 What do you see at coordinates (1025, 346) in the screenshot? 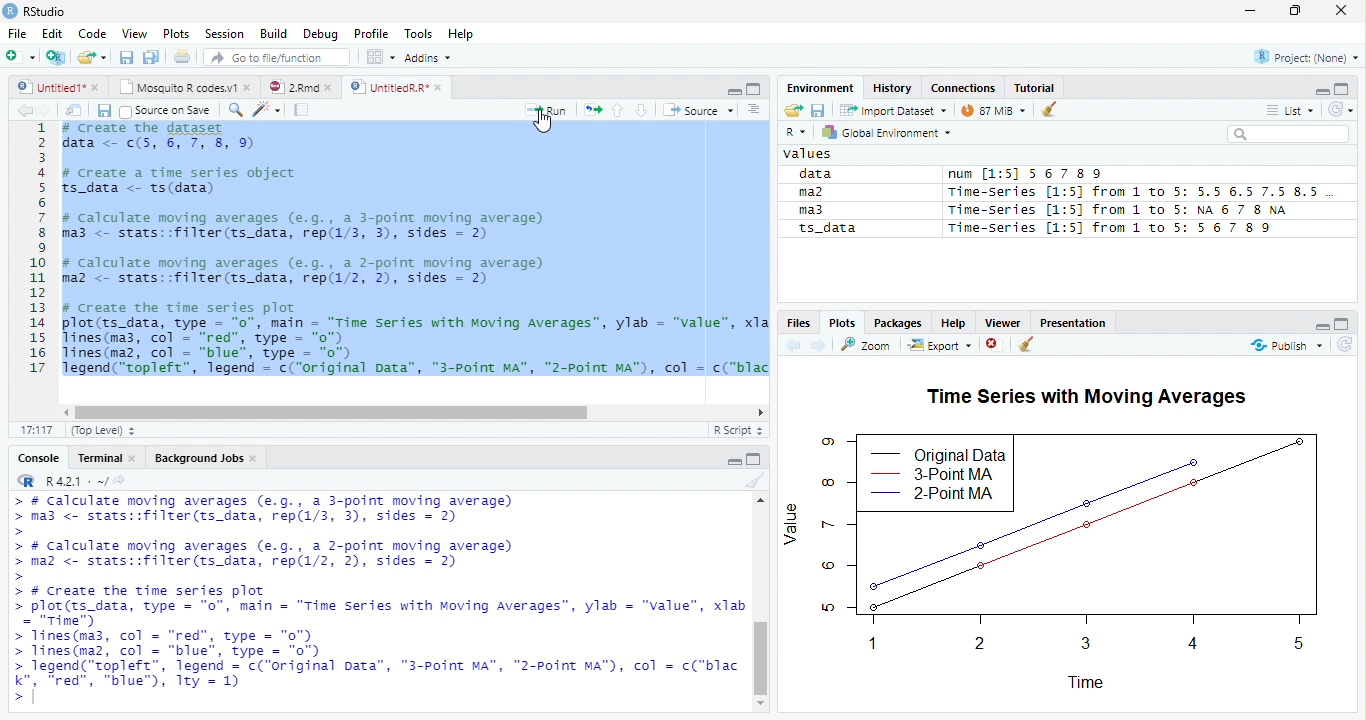
I see `clear` at bounding box center [1025, 346].